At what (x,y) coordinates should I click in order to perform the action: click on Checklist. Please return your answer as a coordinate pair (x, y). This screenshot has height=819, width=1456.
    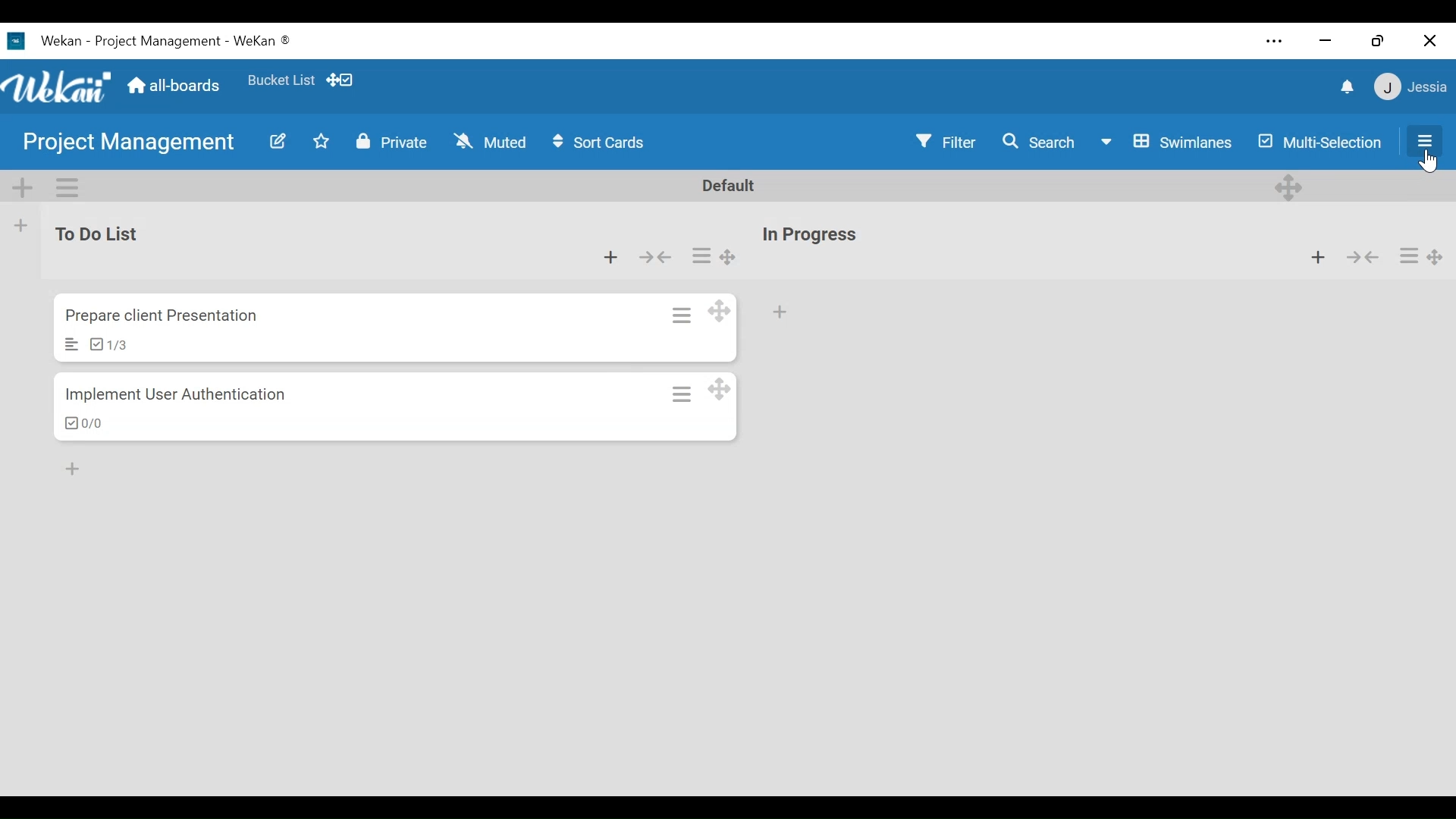
    Looking at the image, I should click on (106, 344).